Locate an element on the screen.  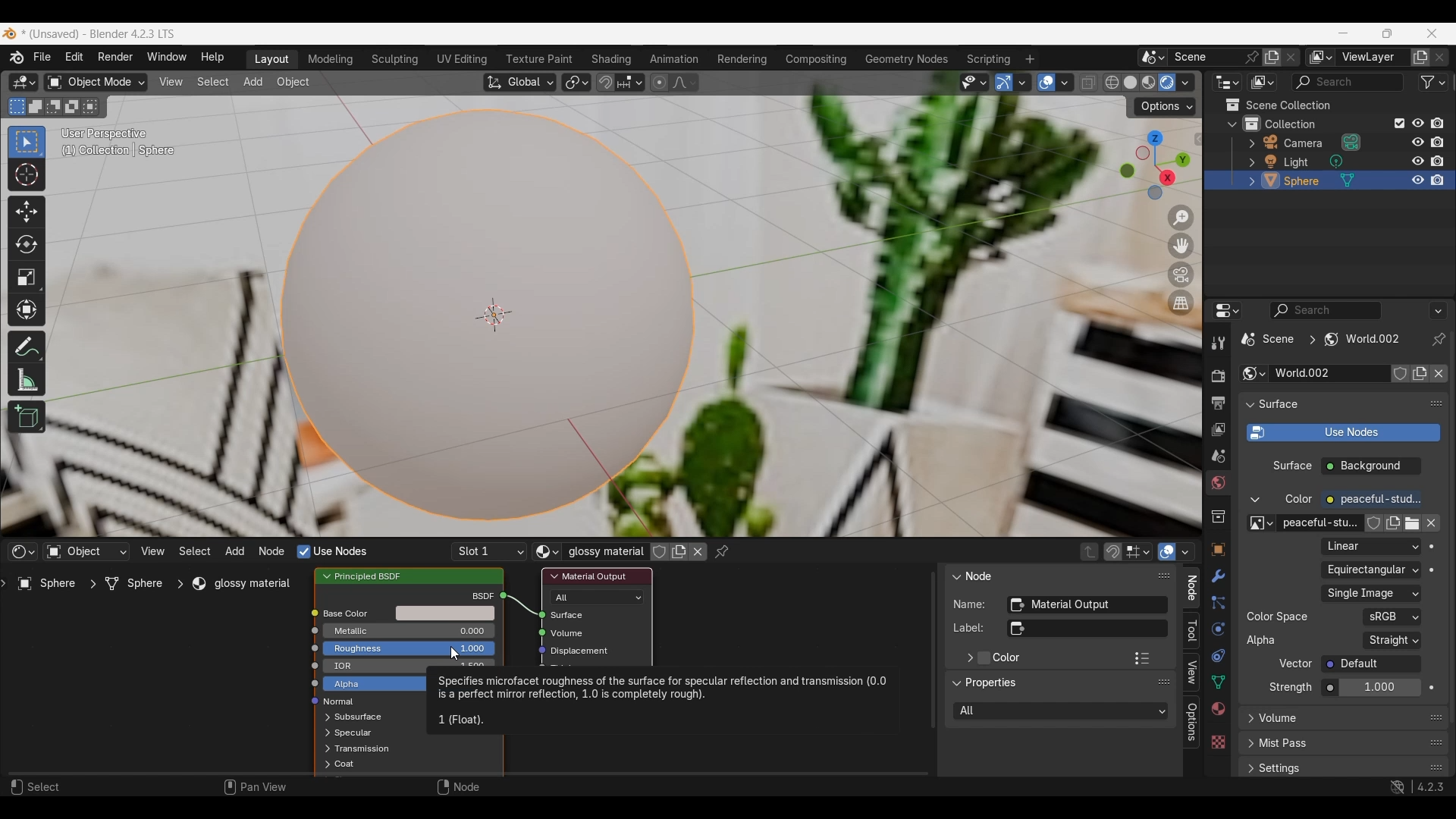
Strength of the emitted light is located at coordinates (1371, 688).